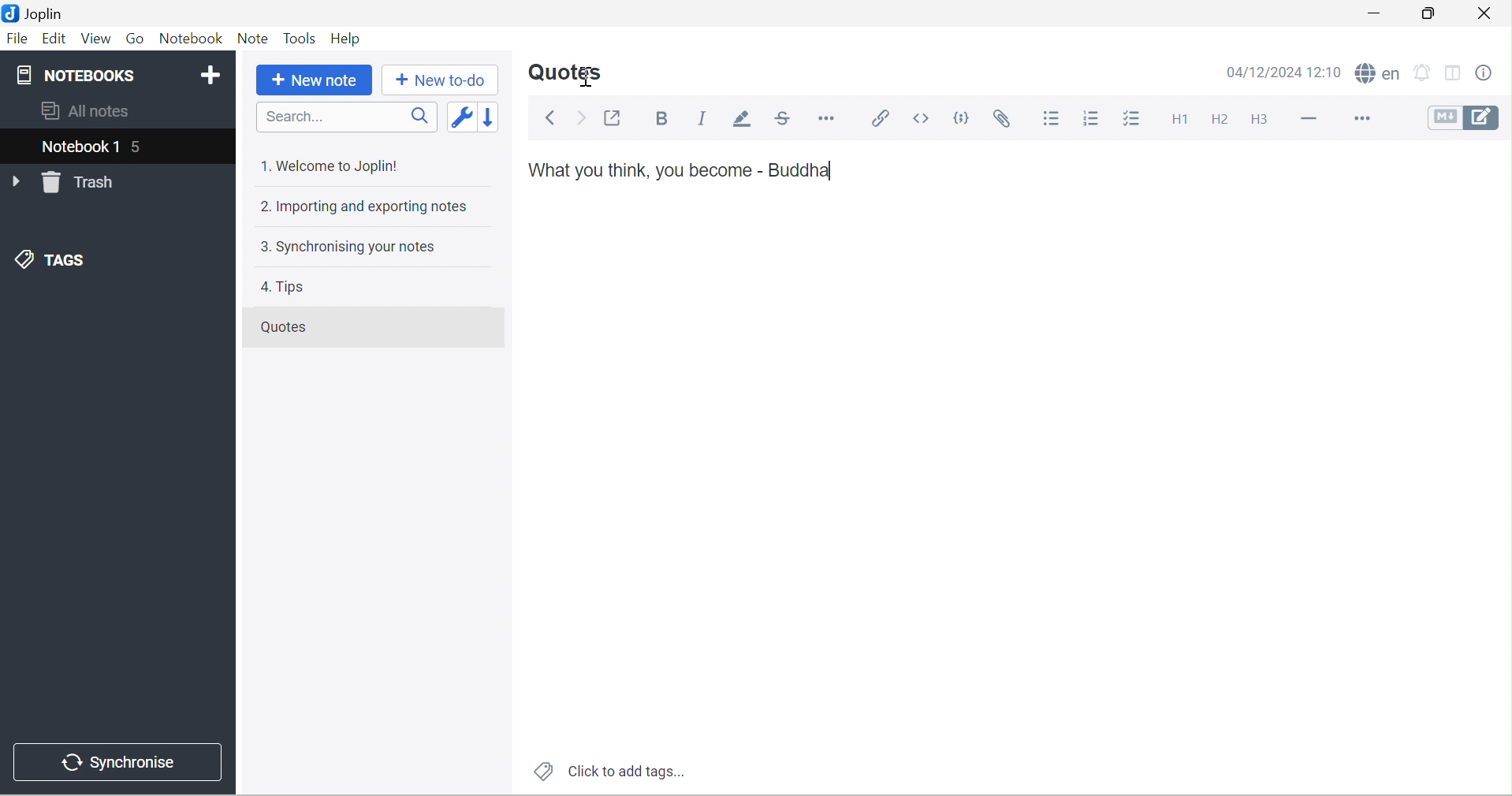 Image resolution: width=1512 pixels, height=796 pixels. Describe the element at coordinates (832, 171) in the screenshot. I see `typing cursor` at that location.